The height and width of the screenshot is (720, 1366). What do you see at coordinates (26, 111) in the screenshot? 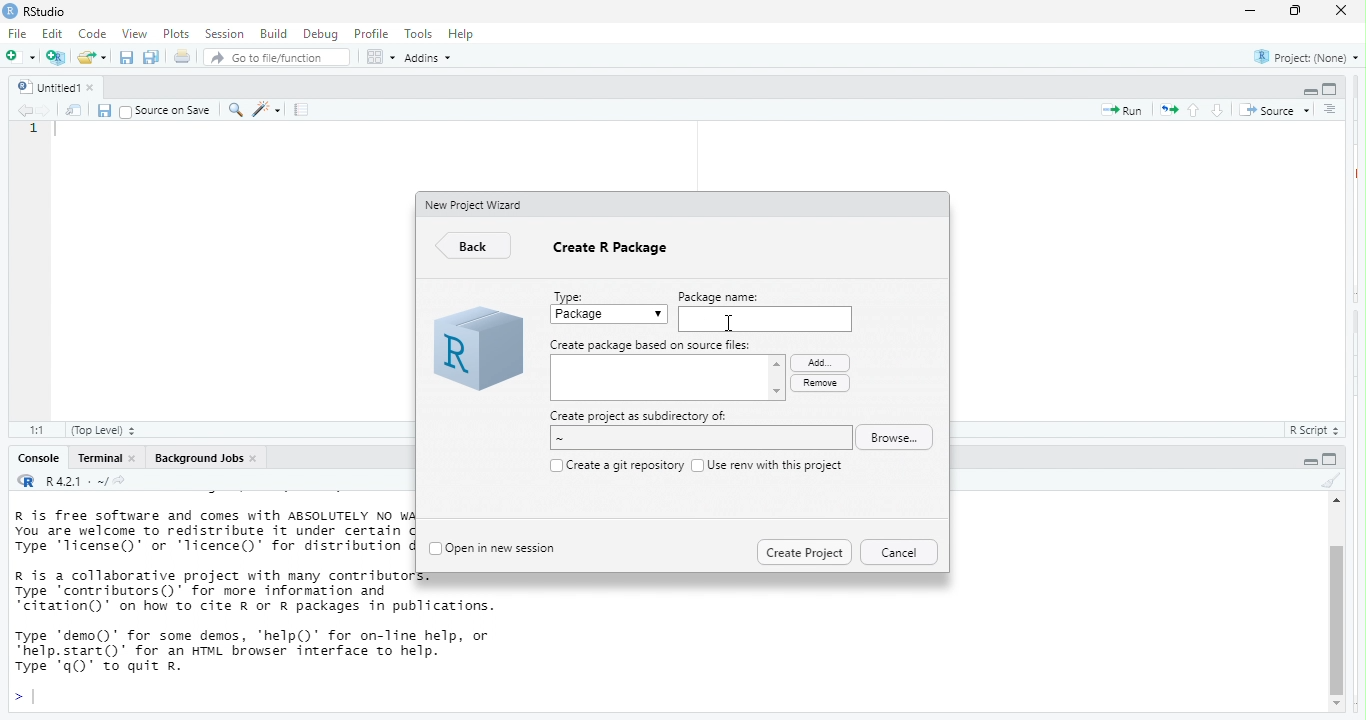
I see `go back to the previous source location` at bounding box center [26, 111].